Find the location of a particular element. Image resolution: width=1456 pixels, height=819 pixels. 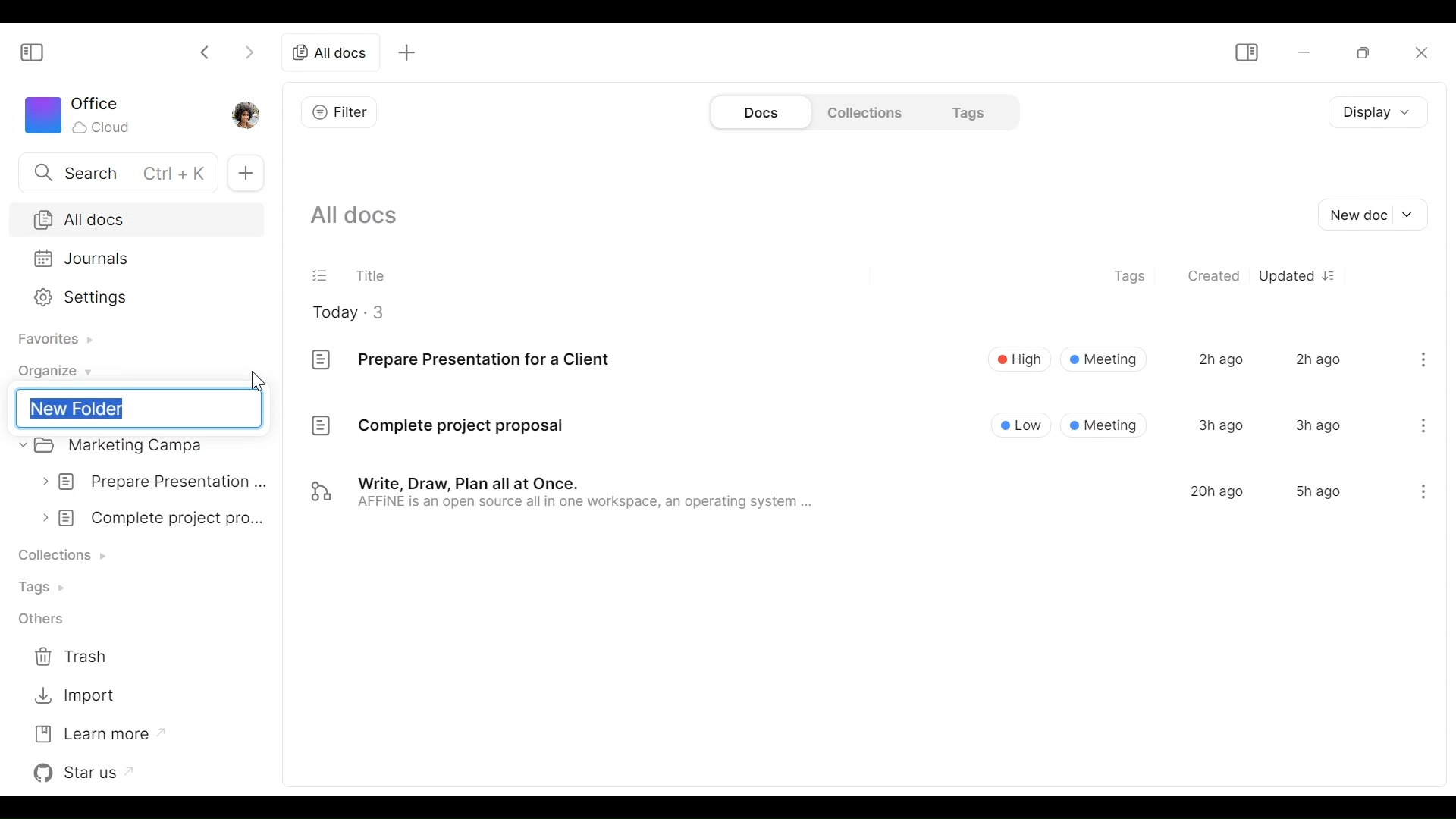

Collection is located at coordinates (70, 552).